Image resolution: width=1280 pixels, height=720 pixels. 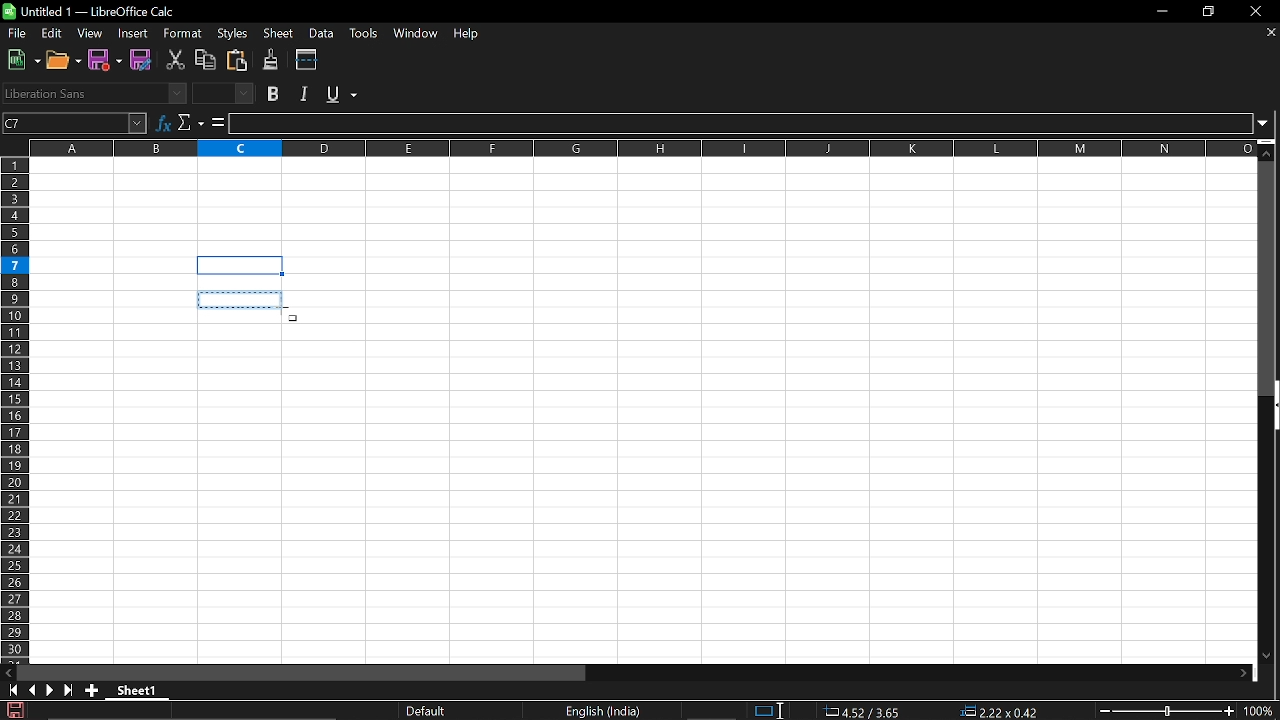 What do you see at coordinates (762, 711) in the screenshot?
I see `Selection ` at bounding box center [762, 711].